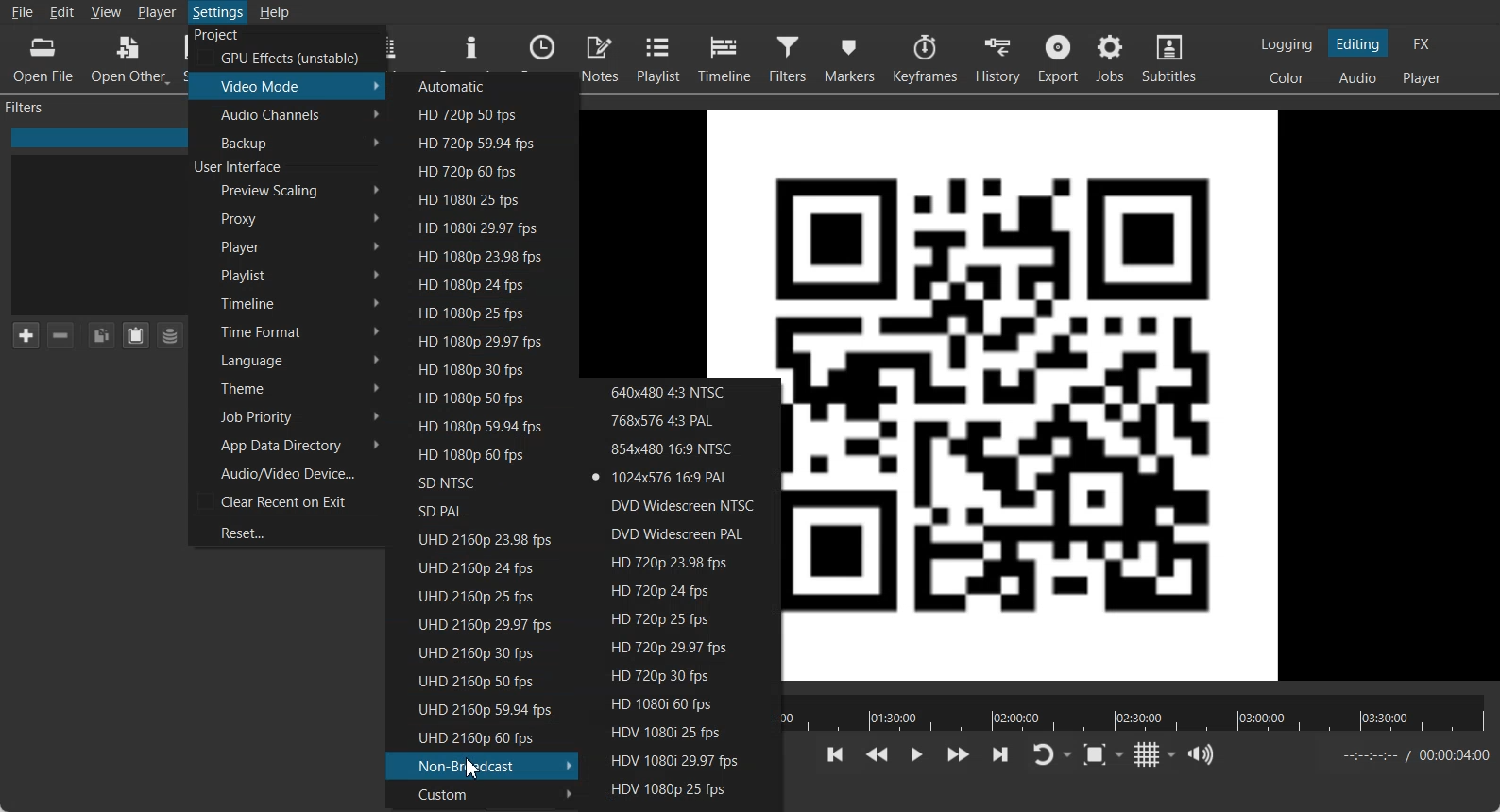  What do you see at coordinates (482, 793) in the screenshot?
I see `Custom` at bounding box center [482, 793].